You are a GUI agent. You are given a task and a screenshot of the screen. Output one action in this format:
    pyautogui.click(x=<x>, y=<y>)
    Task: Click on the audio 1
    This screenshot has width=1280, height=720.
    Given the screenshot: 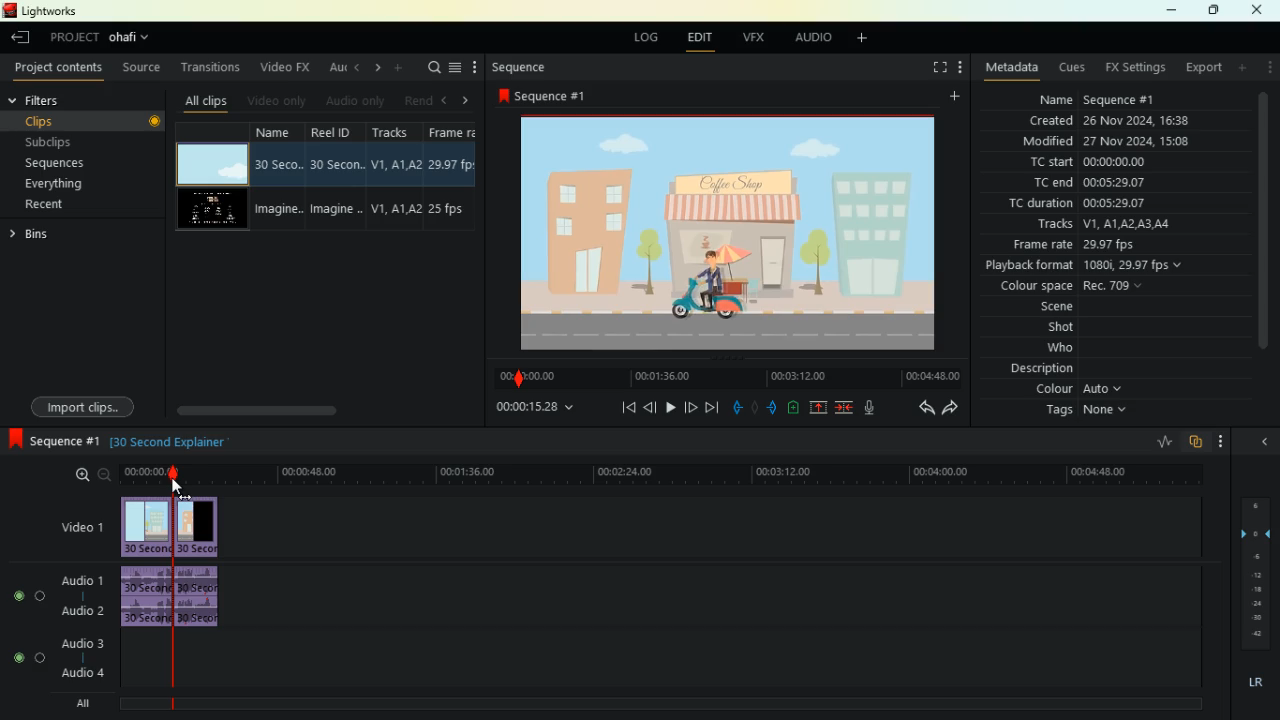 What is the action you would take?
    pyautogui.click(x=75, y=581)
    